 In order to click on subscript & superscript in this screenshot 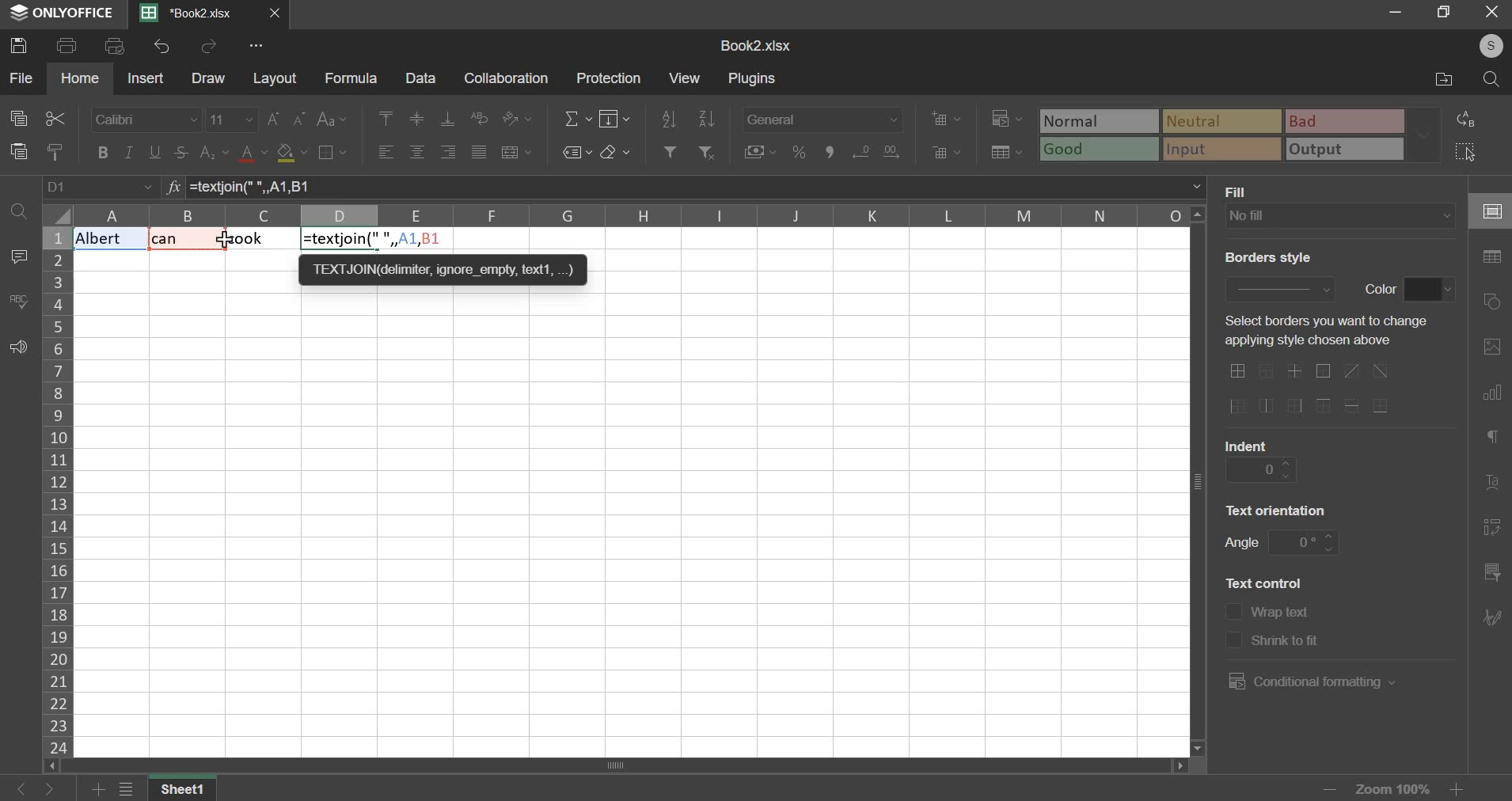, I will do `click(214, 151)`.